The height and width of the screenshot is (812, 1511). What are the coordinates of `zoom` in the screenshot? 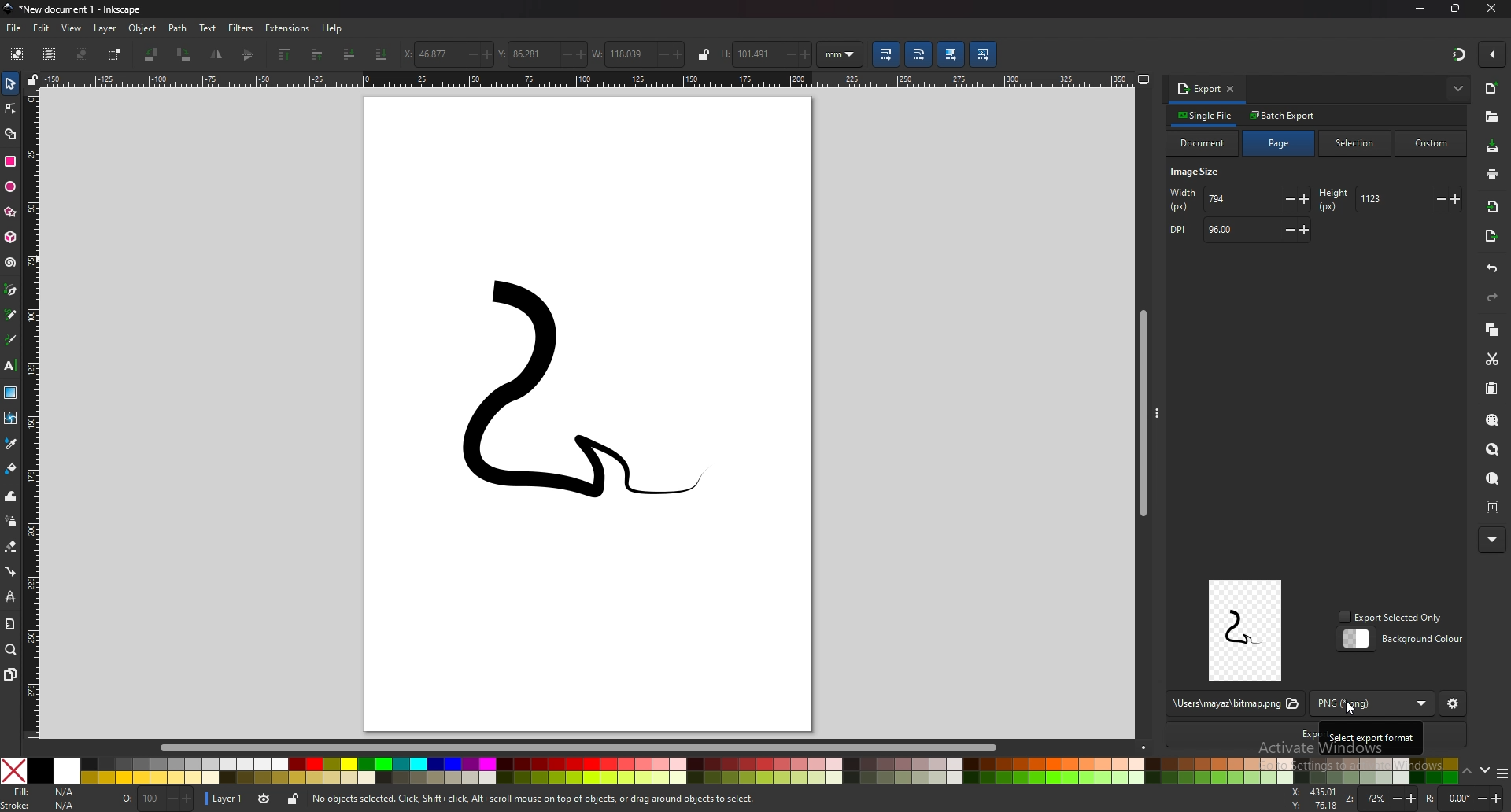 It's located at (11, 651).